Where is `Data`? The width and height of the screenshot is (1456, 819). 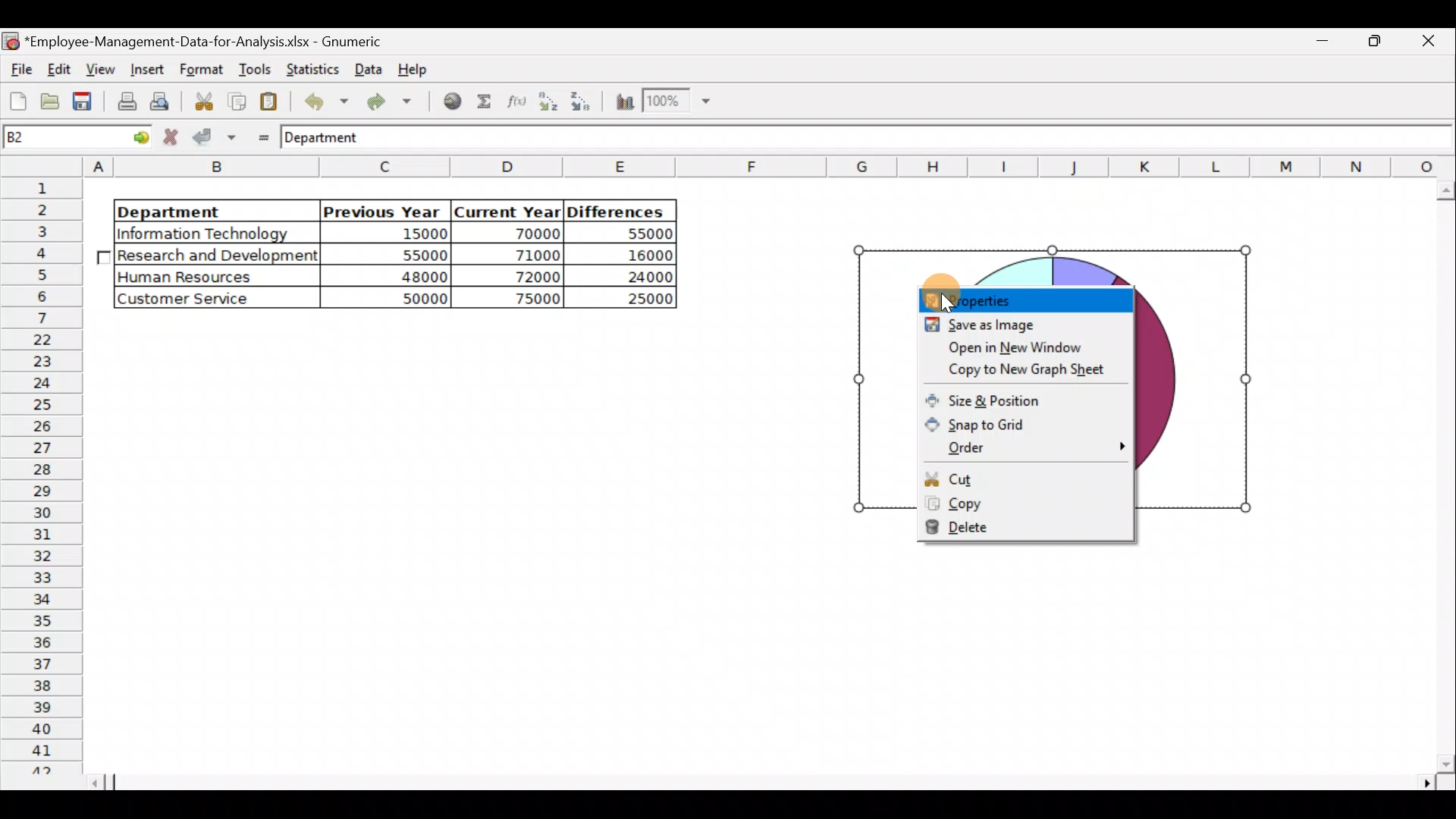 Data is located at coordinates (368, 67).